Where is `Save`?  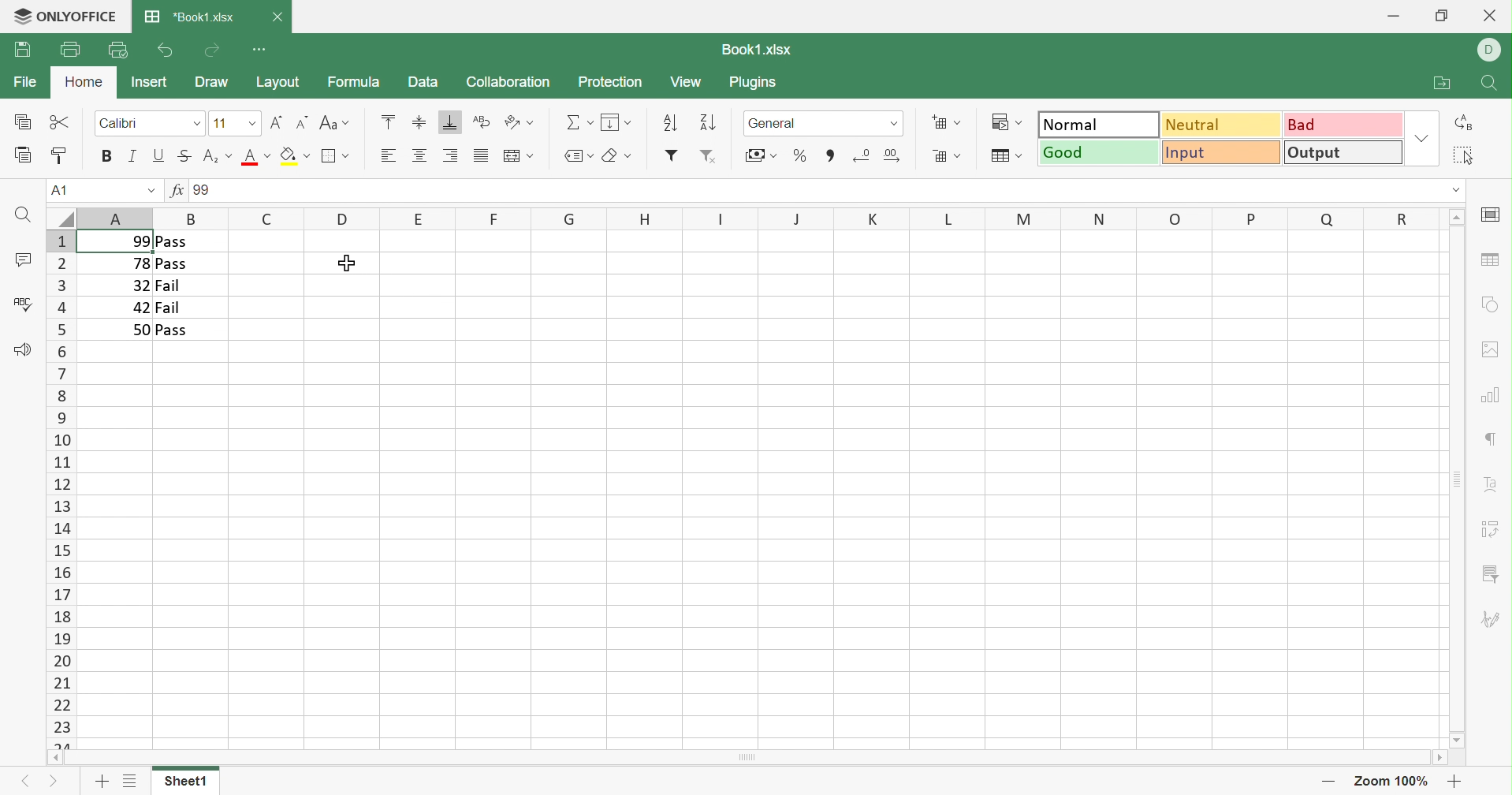
Save is located at coordinates (22, 50).